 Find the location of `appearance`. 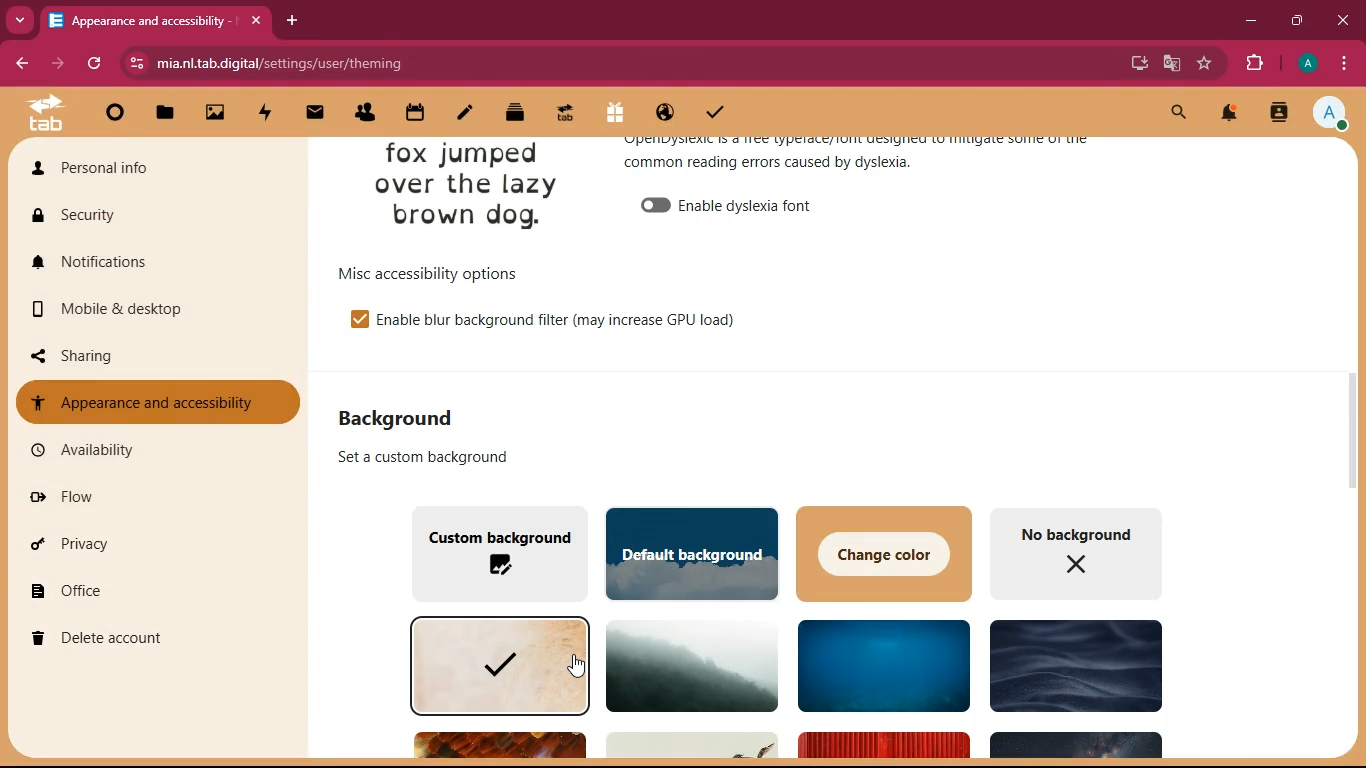

appearance is located at coordinates (156, 401).